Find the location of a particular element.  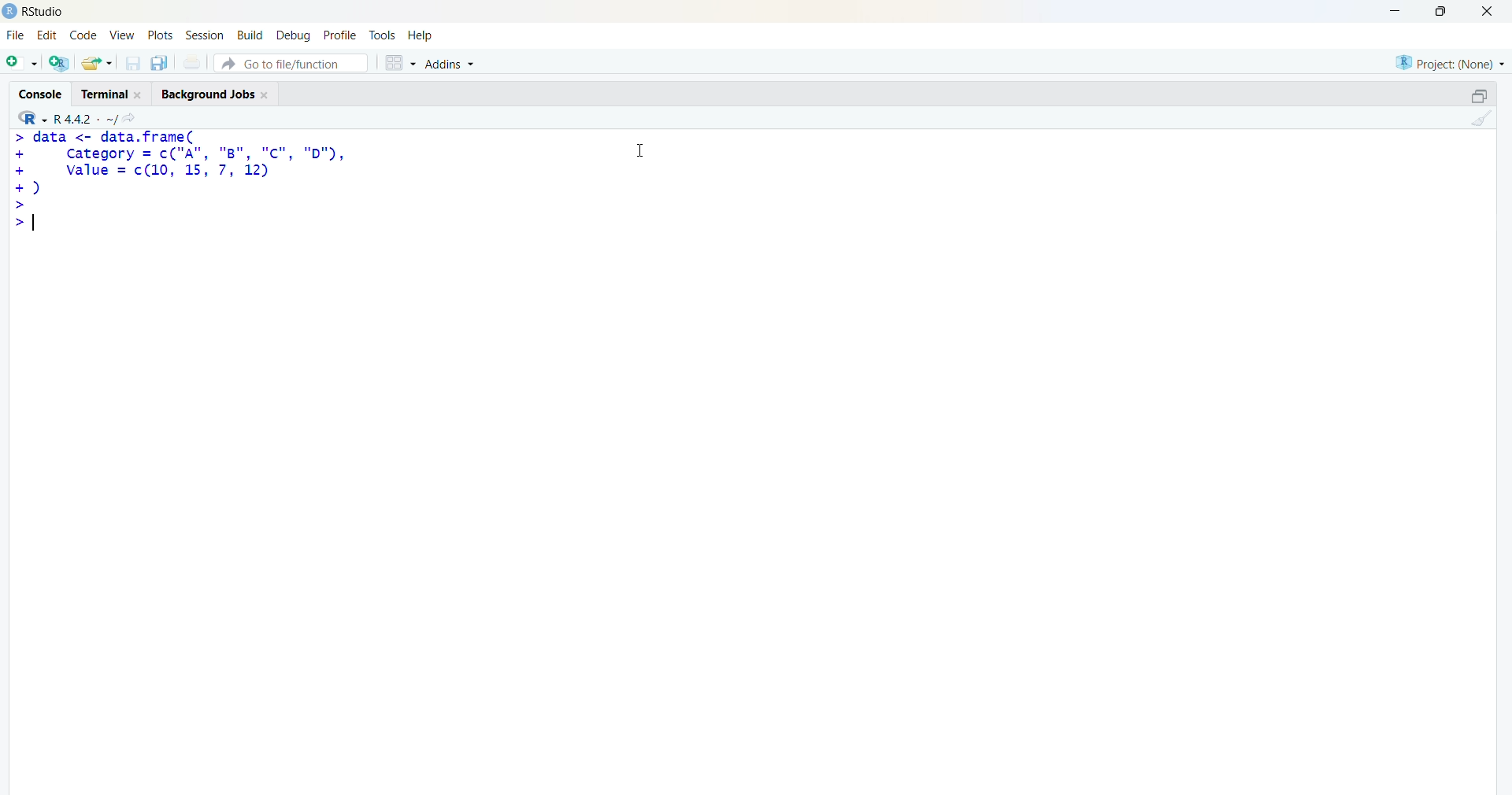

code - > data <- data.frame(Category = c("A", "8B", "c", "D"),value = c(10, 15, 7, 12)) is located at coordinates (195, 183).